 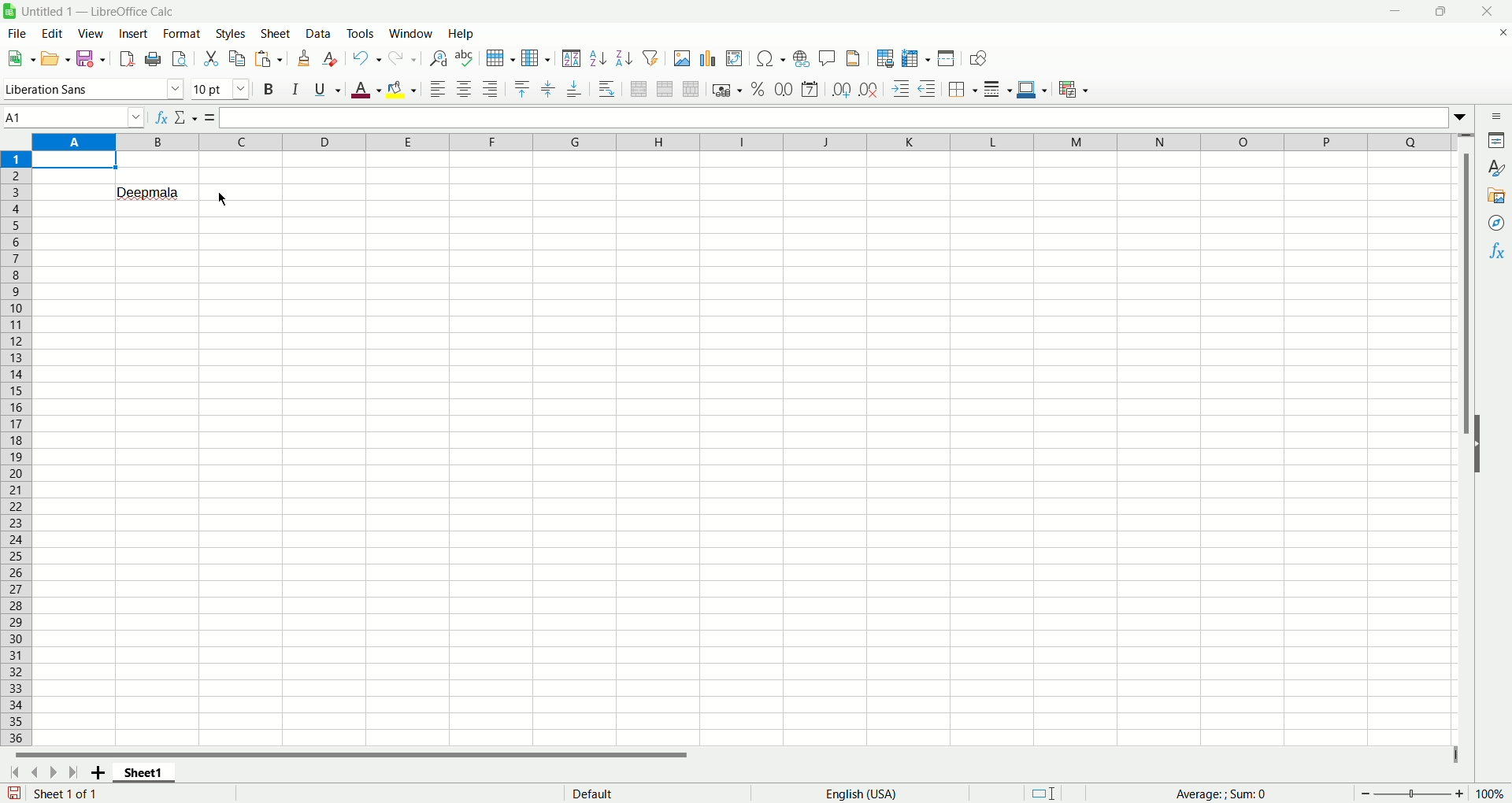 I want to click on Text, so click(x=593, y=792).